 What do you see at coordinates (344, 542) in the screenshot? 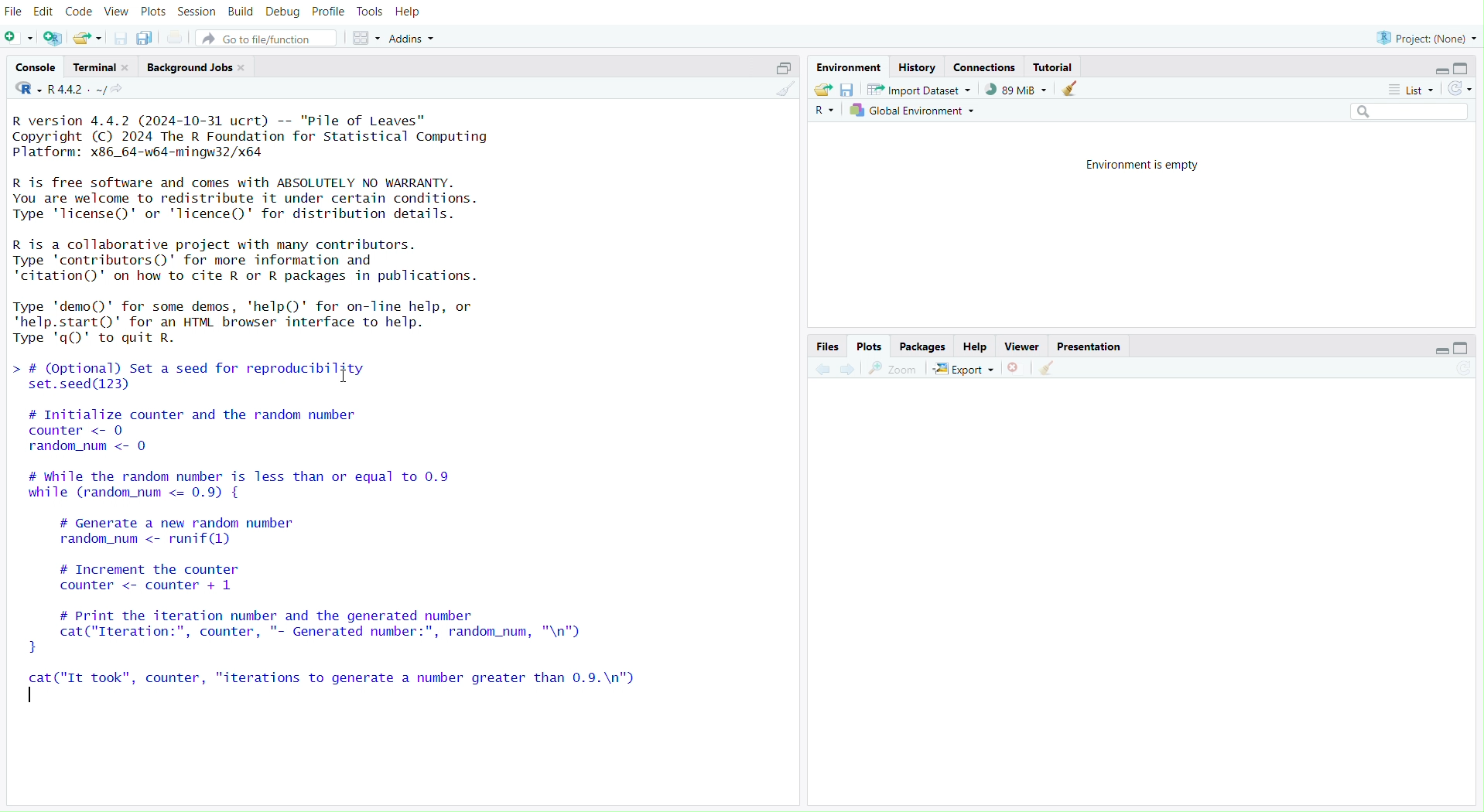
I see `> # (Optional) set a seed for reproducibility
set.seed(123)
# Initialize counter and the random number
counter <- 0
random_num <- 0
# while the random number is less than or equal to 0.9
while (random_num <= 0.9) {
# Generate a new random number
random_num <- runif(1)
# Increment the counter
counter <- counter + 1
# Print the iteration number and the generated number
cat("Iteration:", counter, "- Generated number:", random_num, "\n")
}
cat ("It took", counter, "iterations to generate a number greater than 0.9.\n")` at bounding box center [344, 542].